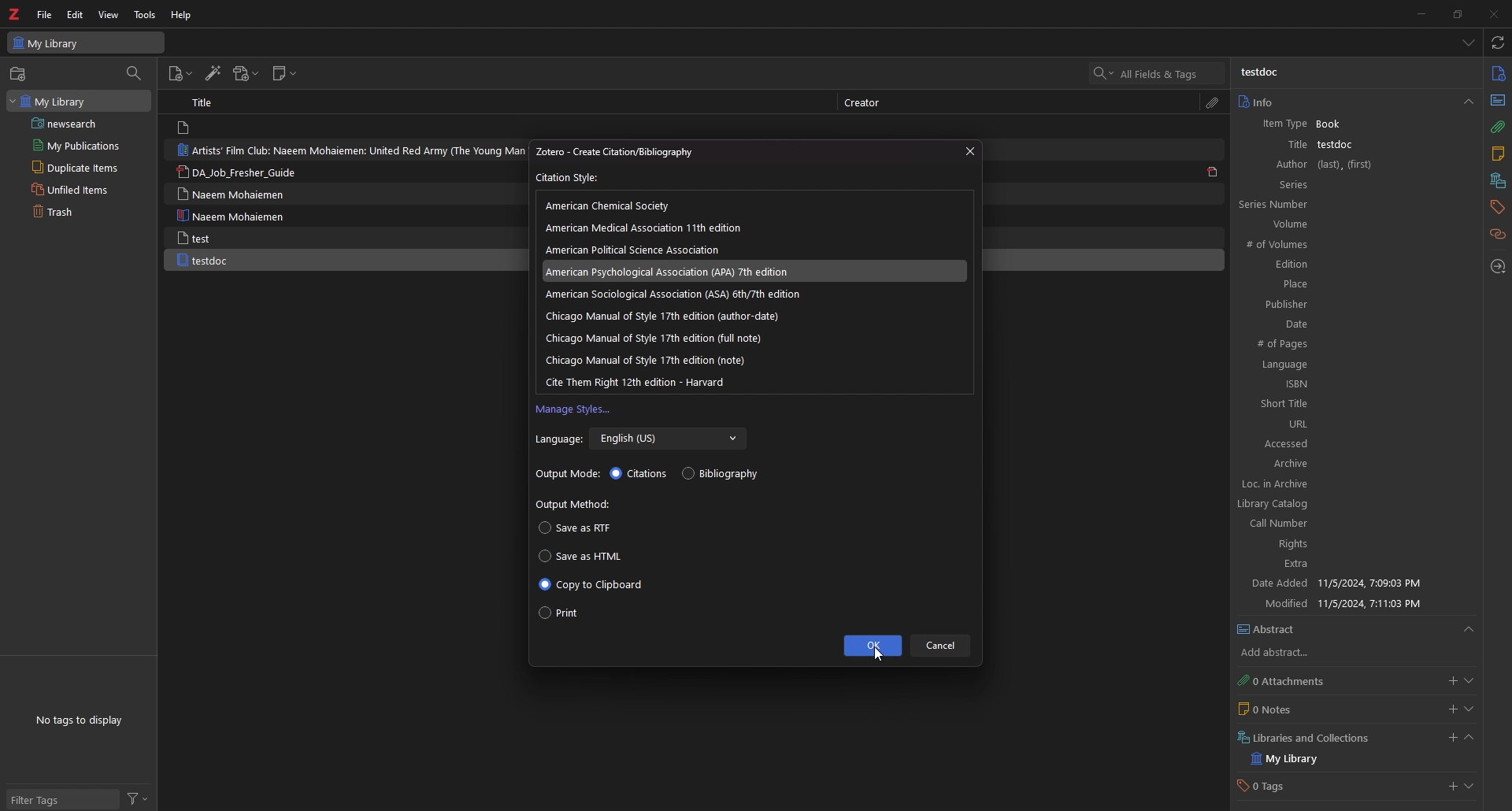 The image size is (1512, 811). What do you see at coordinates (1295, 709) in the screenshot?
I see `0 Notes` at bounding box center [1295, 709].